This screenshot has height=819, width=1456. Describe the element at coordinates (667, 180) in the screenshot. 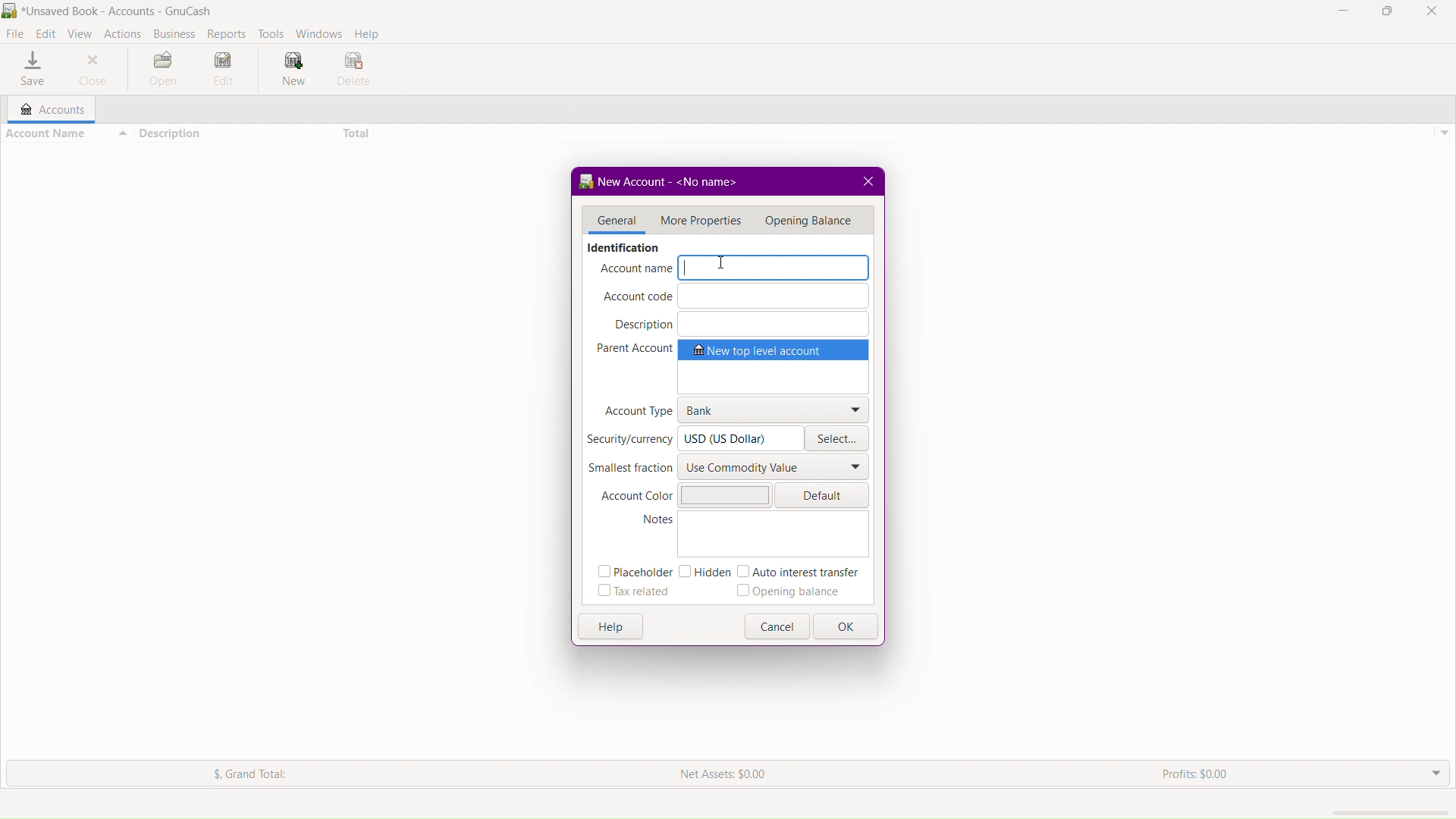

I see `New Account - <no name>` at that location.